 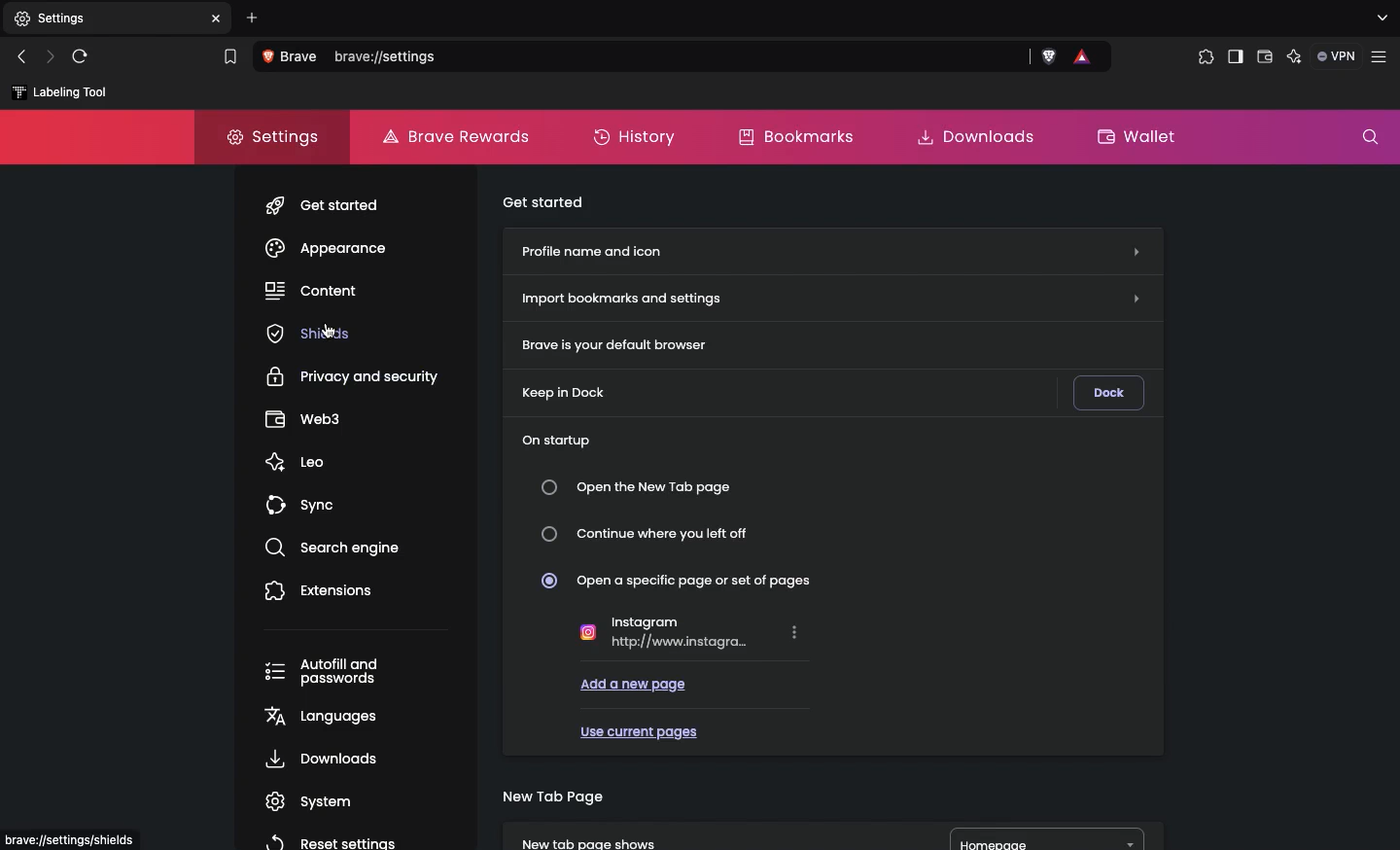 What do you see at coordinates (57, 91) in the screenshot?
I see `labelling tool` at bounding box center [57, 91].